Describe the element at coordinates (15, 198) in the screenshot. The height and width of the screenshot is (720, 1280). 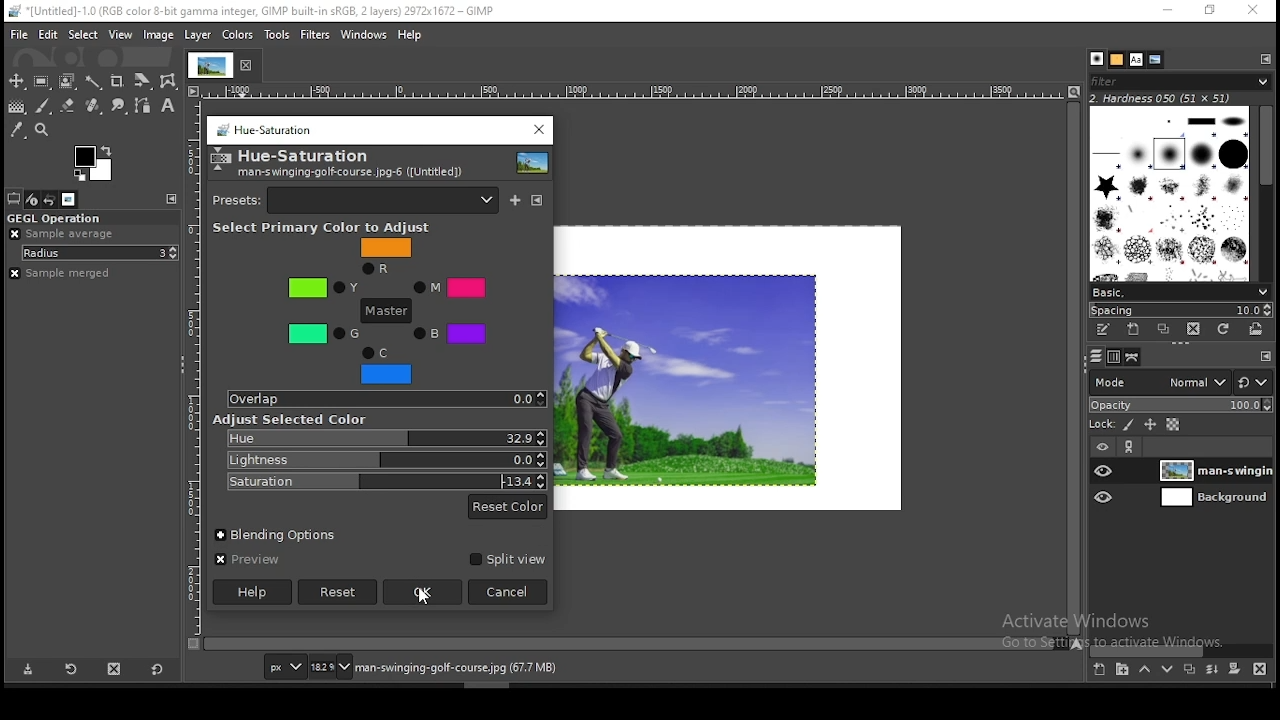
I see `tool options` at that location.